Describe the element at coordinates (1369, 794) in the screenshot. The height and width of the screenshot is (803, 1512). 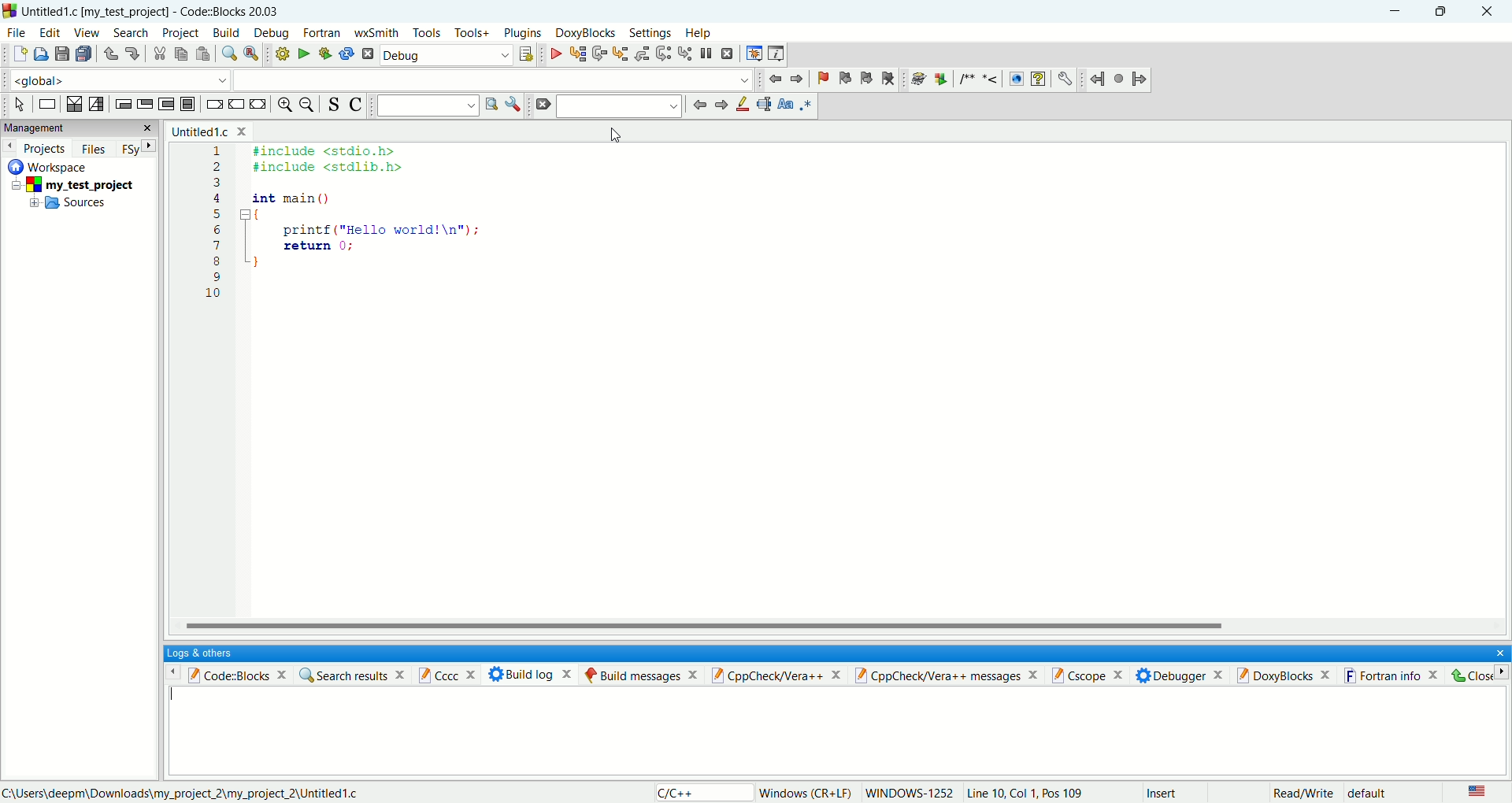
I see `default` at that location.